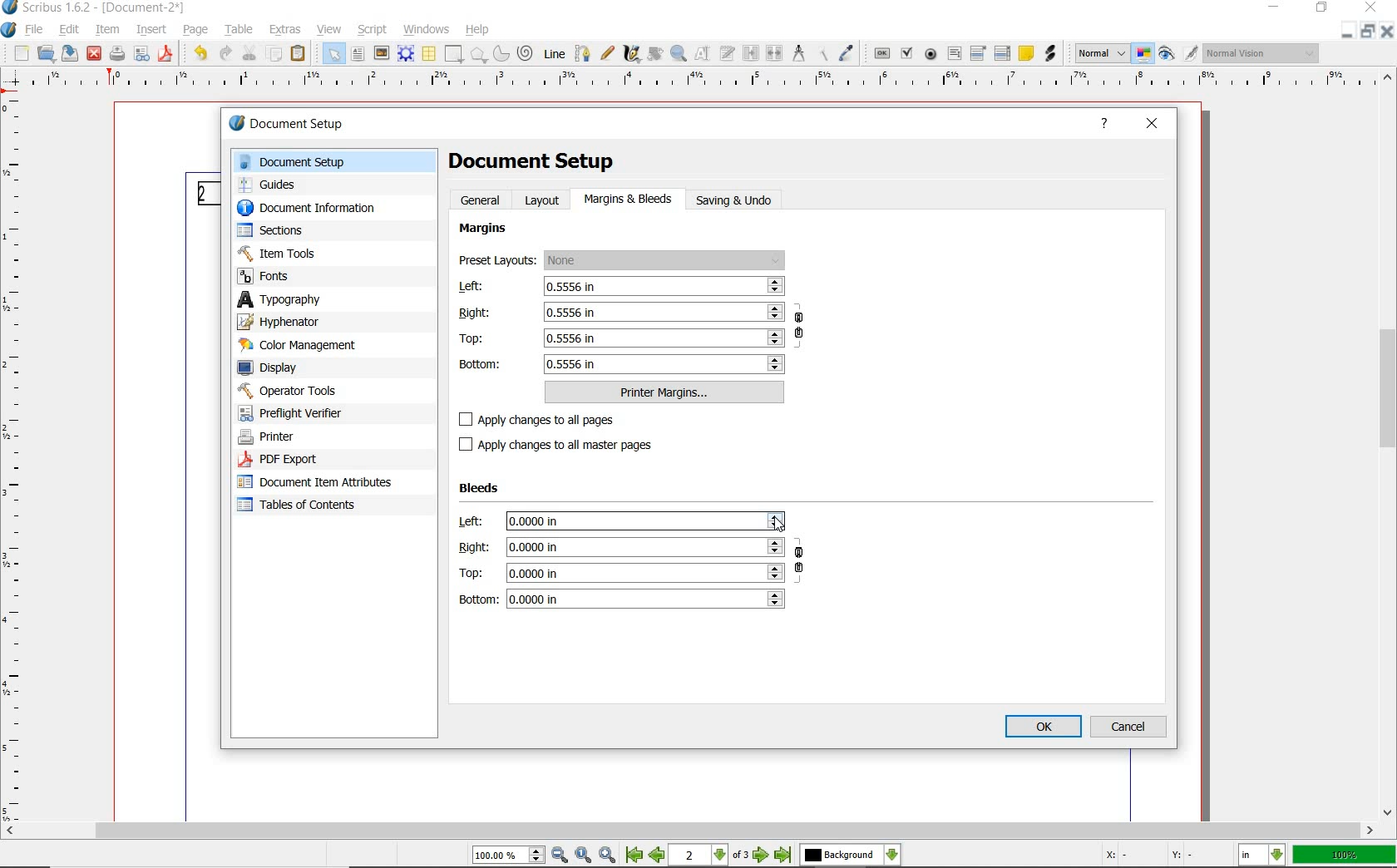  I want to click on document setup, so click(338, 162).